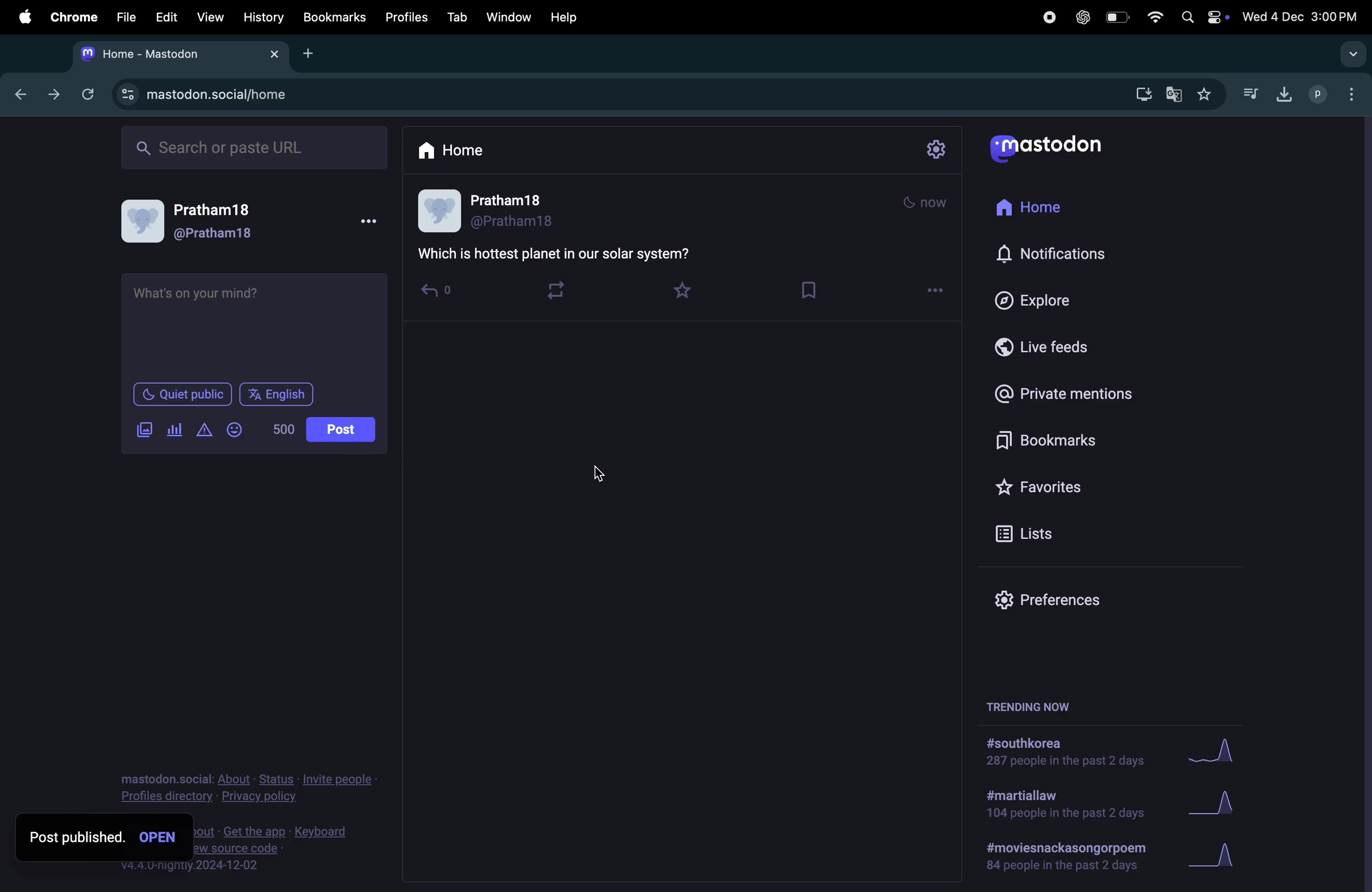  What do you see at coordinates (1085, 391) in the screenshot?
I see `private mentions` at bounding box center [1085, 391].